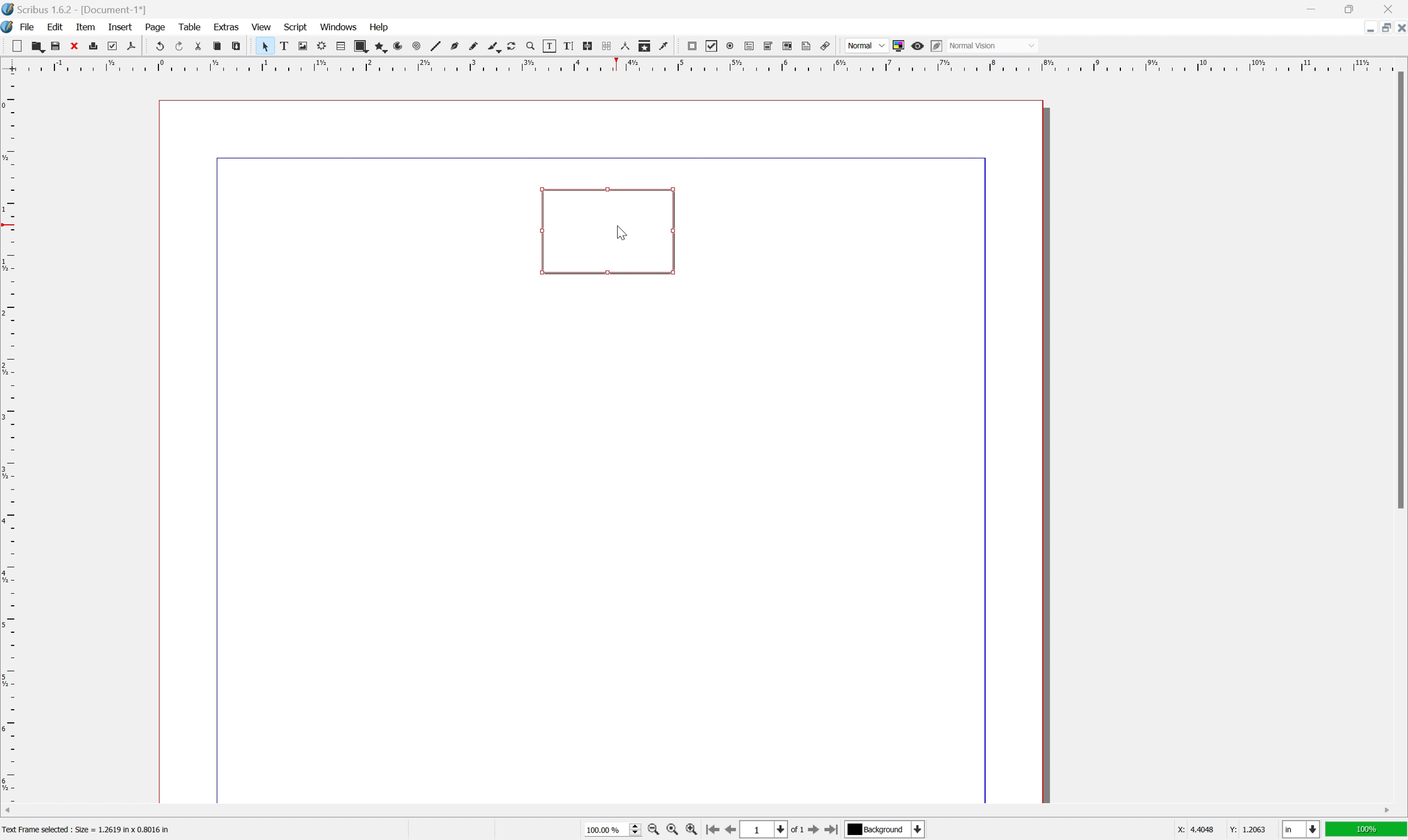 This screenshot has width=1408, height=840. Describe the element at coordinates (673, 831) in the screenshot. I see `zoom to 100%` at that location.